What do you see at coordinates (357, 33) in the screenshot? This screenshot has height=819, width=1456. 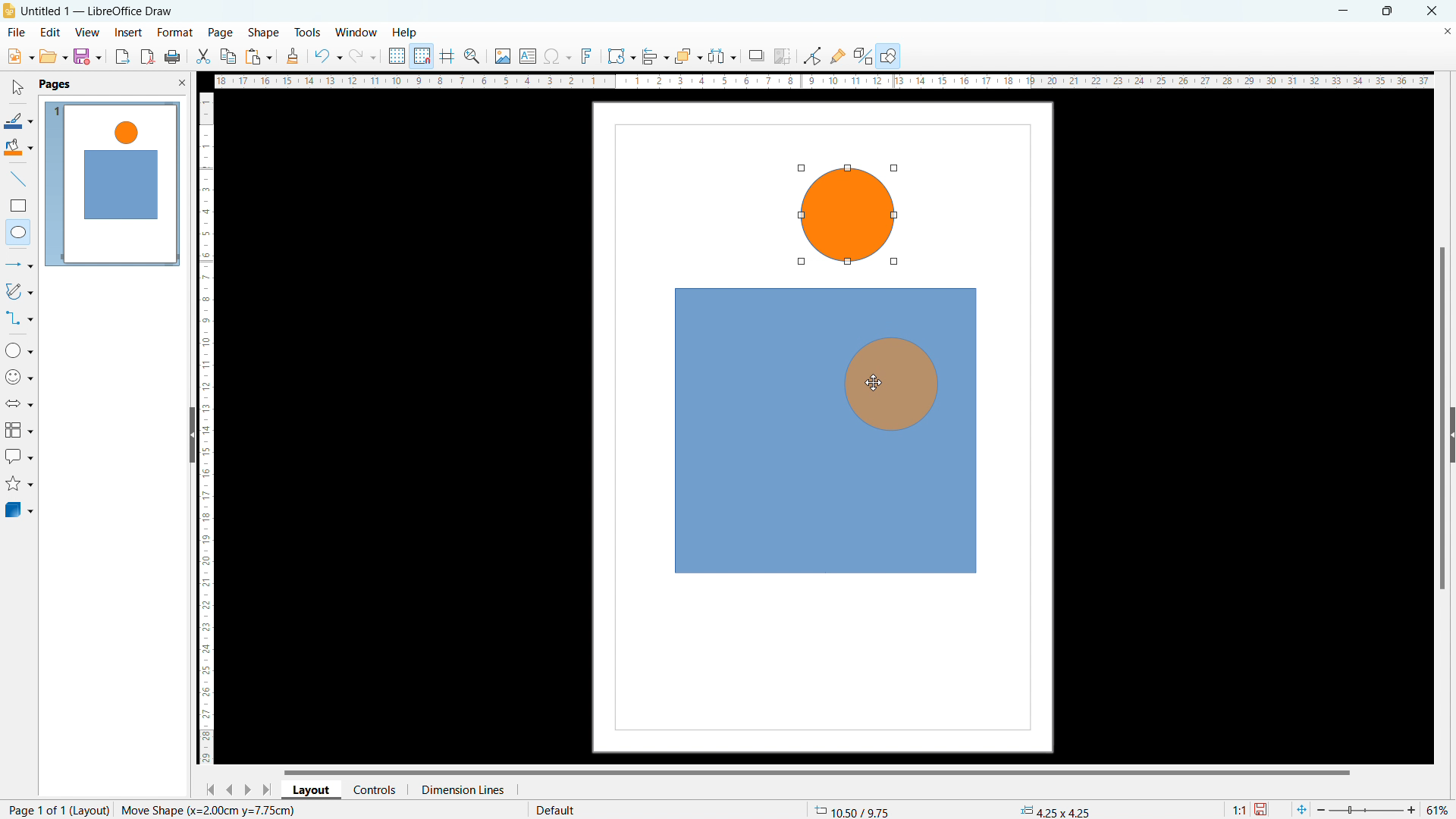 I see `window` at bounding box center [357, 33].